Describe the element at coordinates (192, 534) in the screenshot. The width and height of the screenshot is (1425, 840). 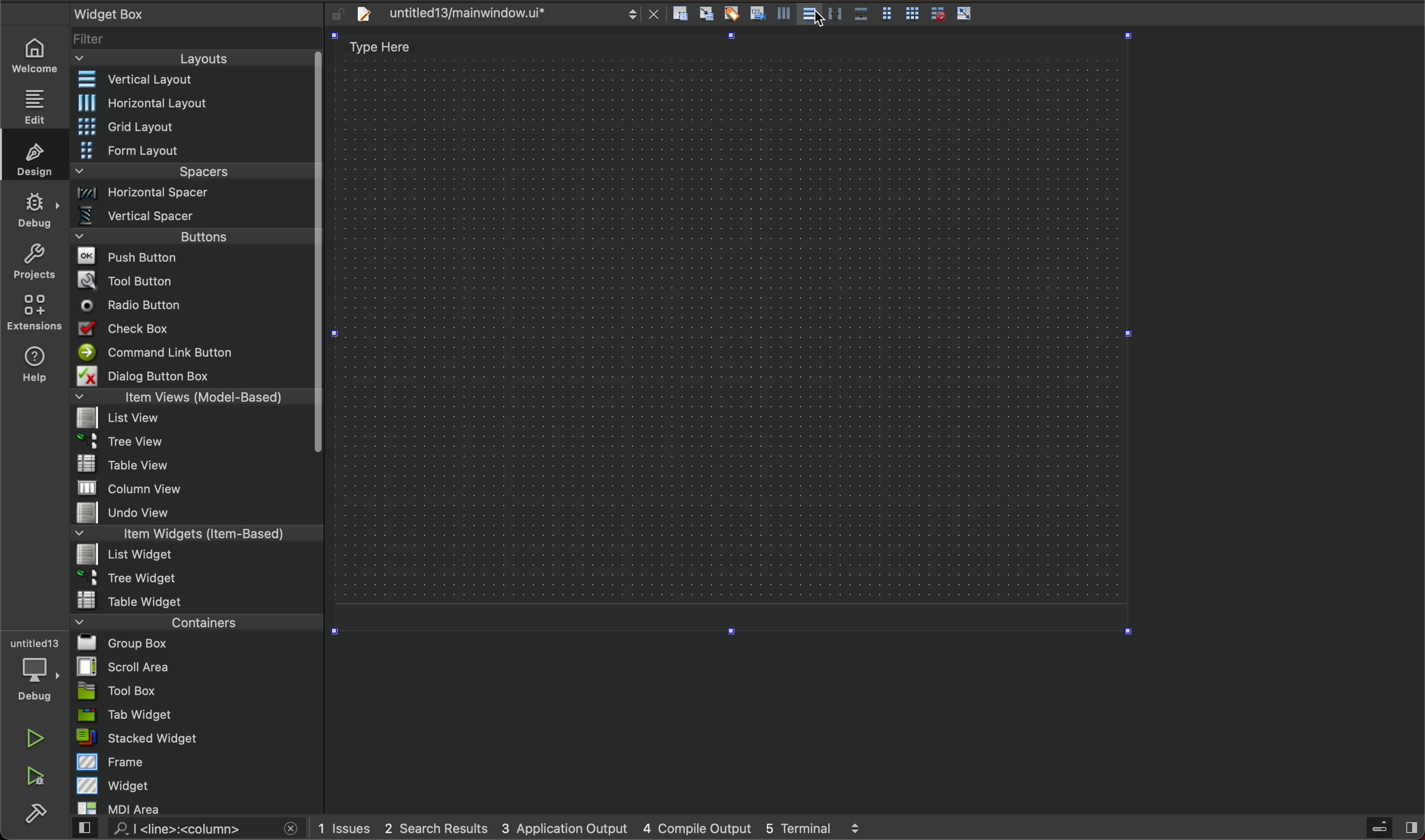
I see `items widget` at that location.